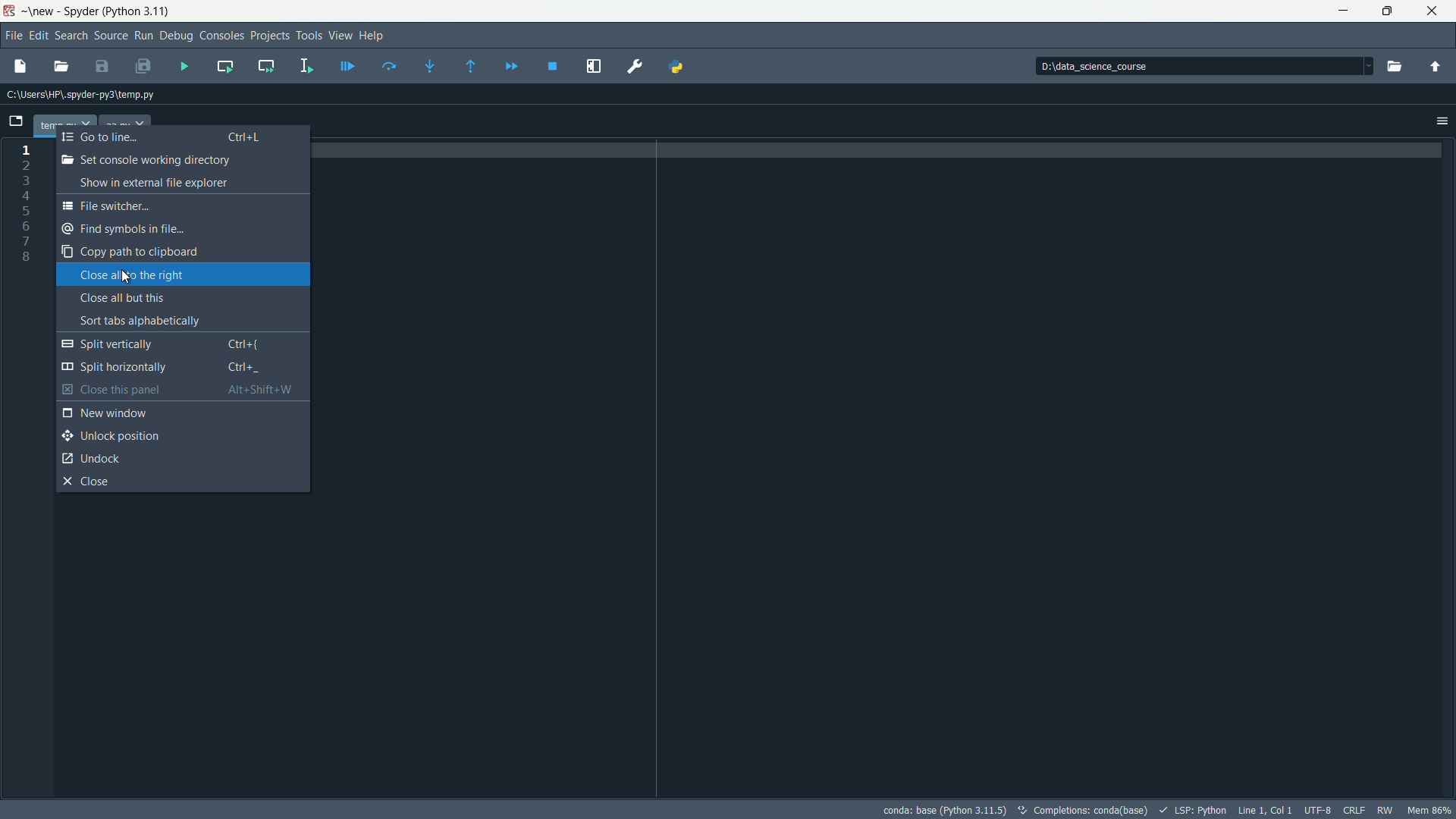  Describe the element at coordinates (93, 457) in the screenshot. I see `undock` at that location.